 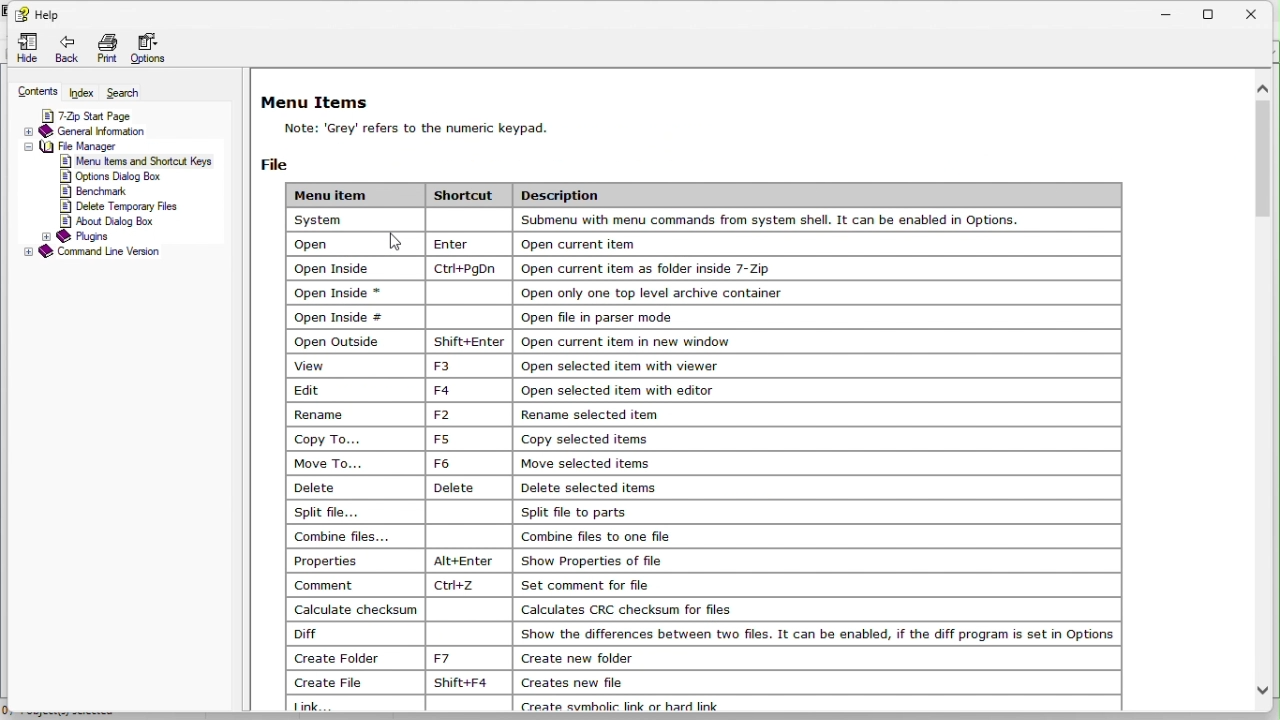 I want to click on | combine files... | | combine files to one file, so click(x=500, y=535).